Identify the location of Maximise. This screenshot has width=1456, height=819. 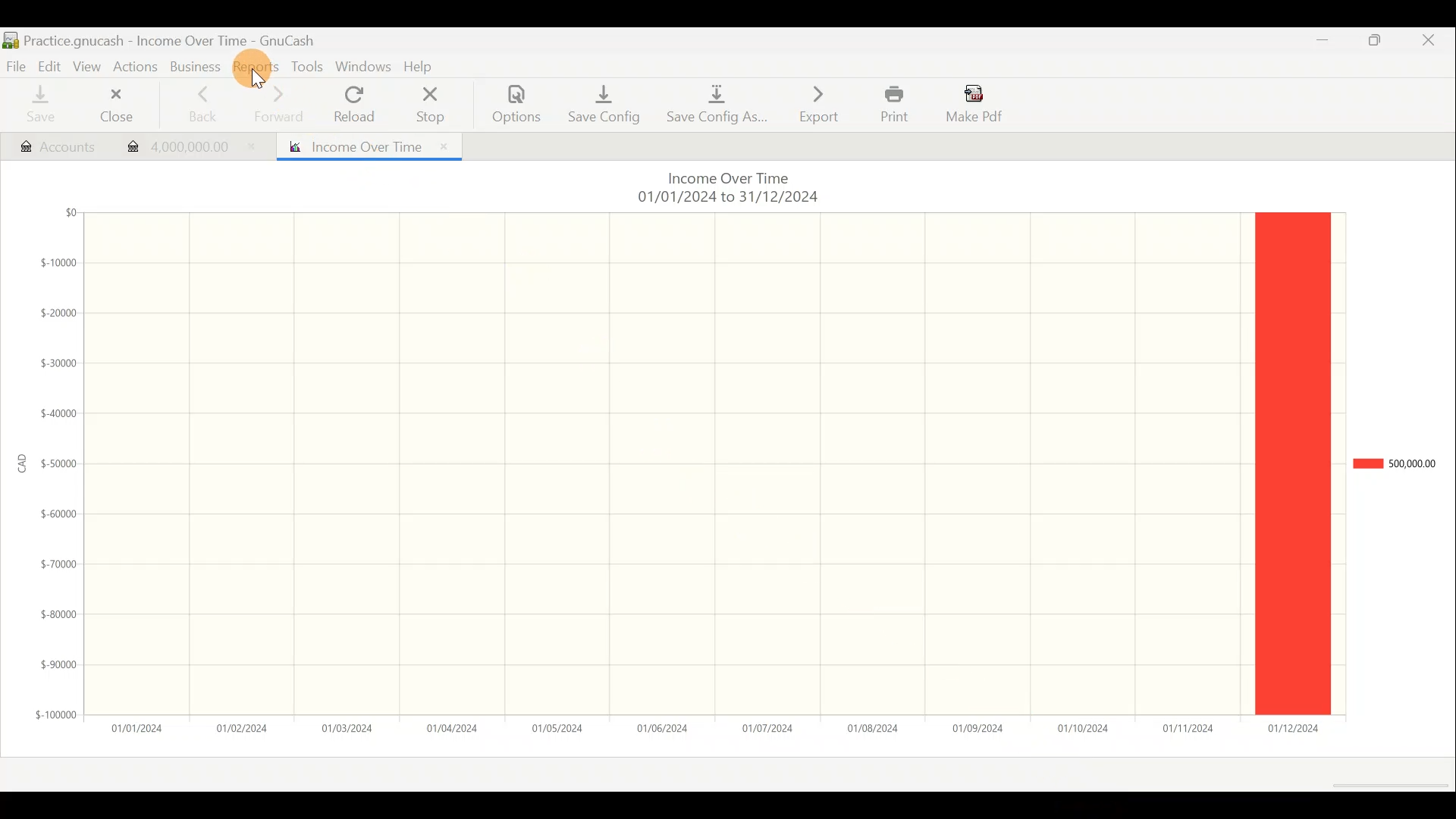
(1378, 45).